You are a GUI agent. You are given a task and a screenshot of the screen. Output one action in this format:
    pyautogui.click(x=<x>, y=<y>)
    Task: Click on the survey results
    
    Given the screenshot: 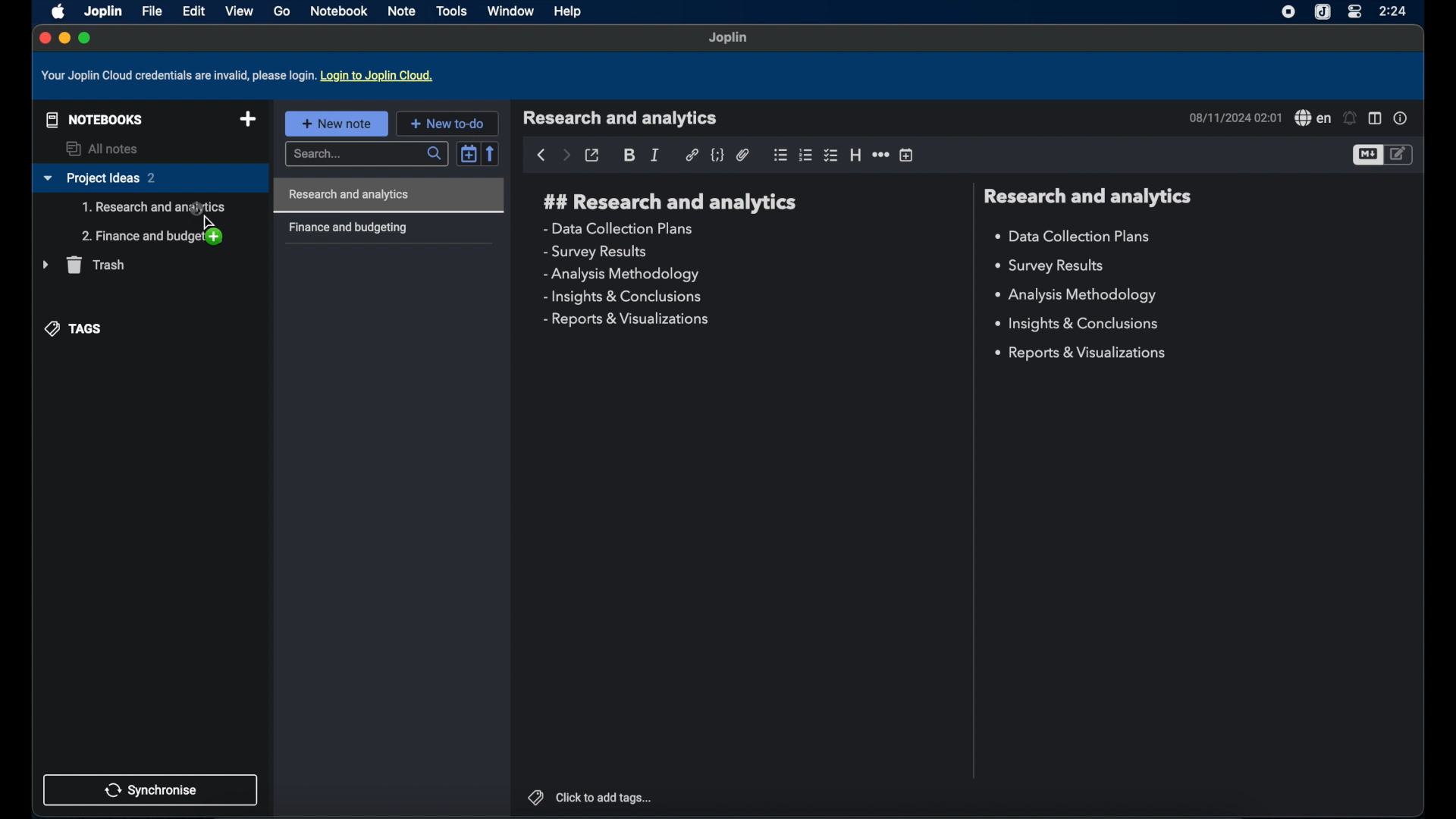 What is the action you would take?
    pyautogui.click(x=595, y=253)
    